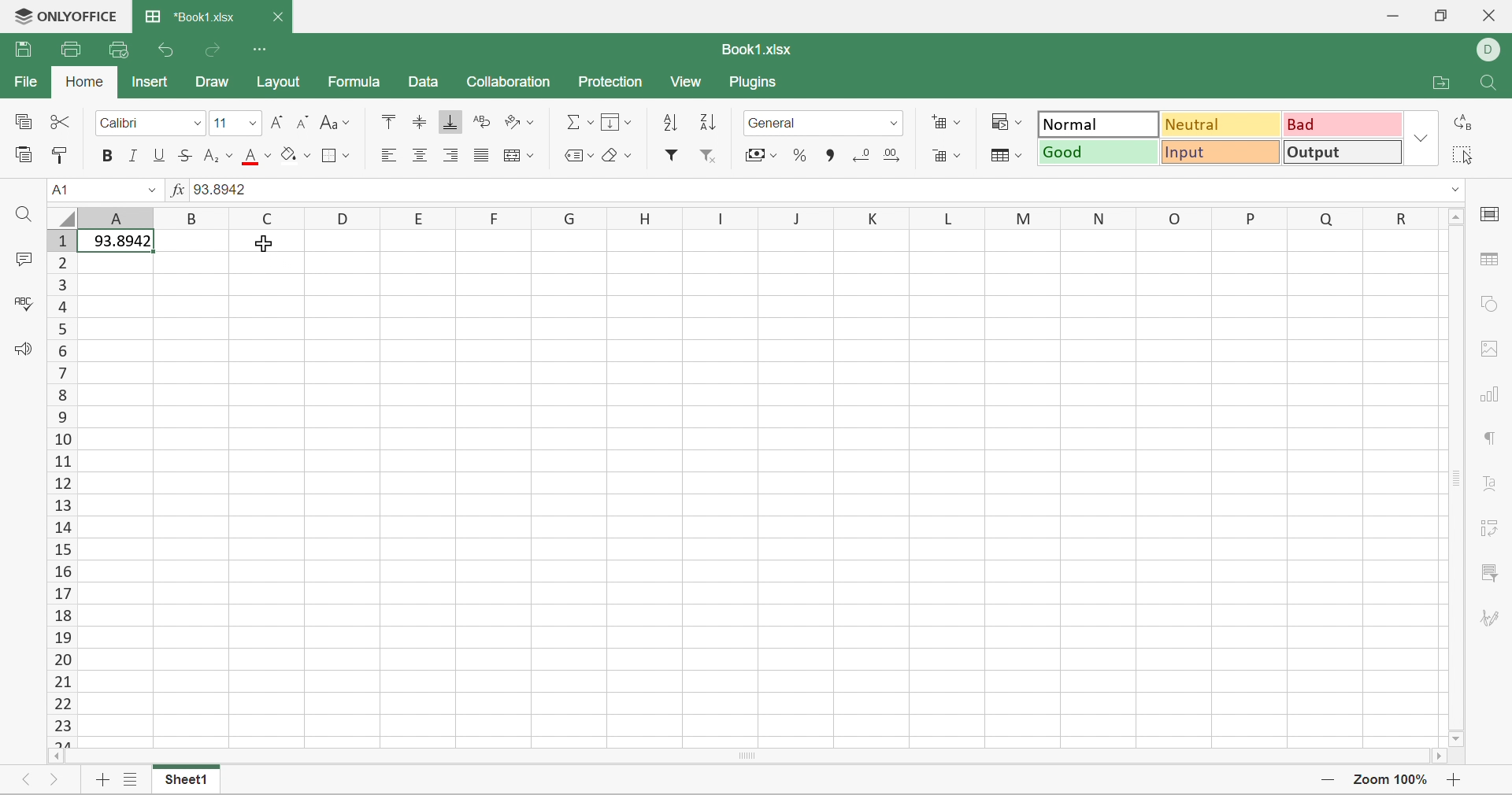 The image size is (1512, 795). Describe the element at coordinates (801, 157) in the screenshot. I see `Percent style` at that location.